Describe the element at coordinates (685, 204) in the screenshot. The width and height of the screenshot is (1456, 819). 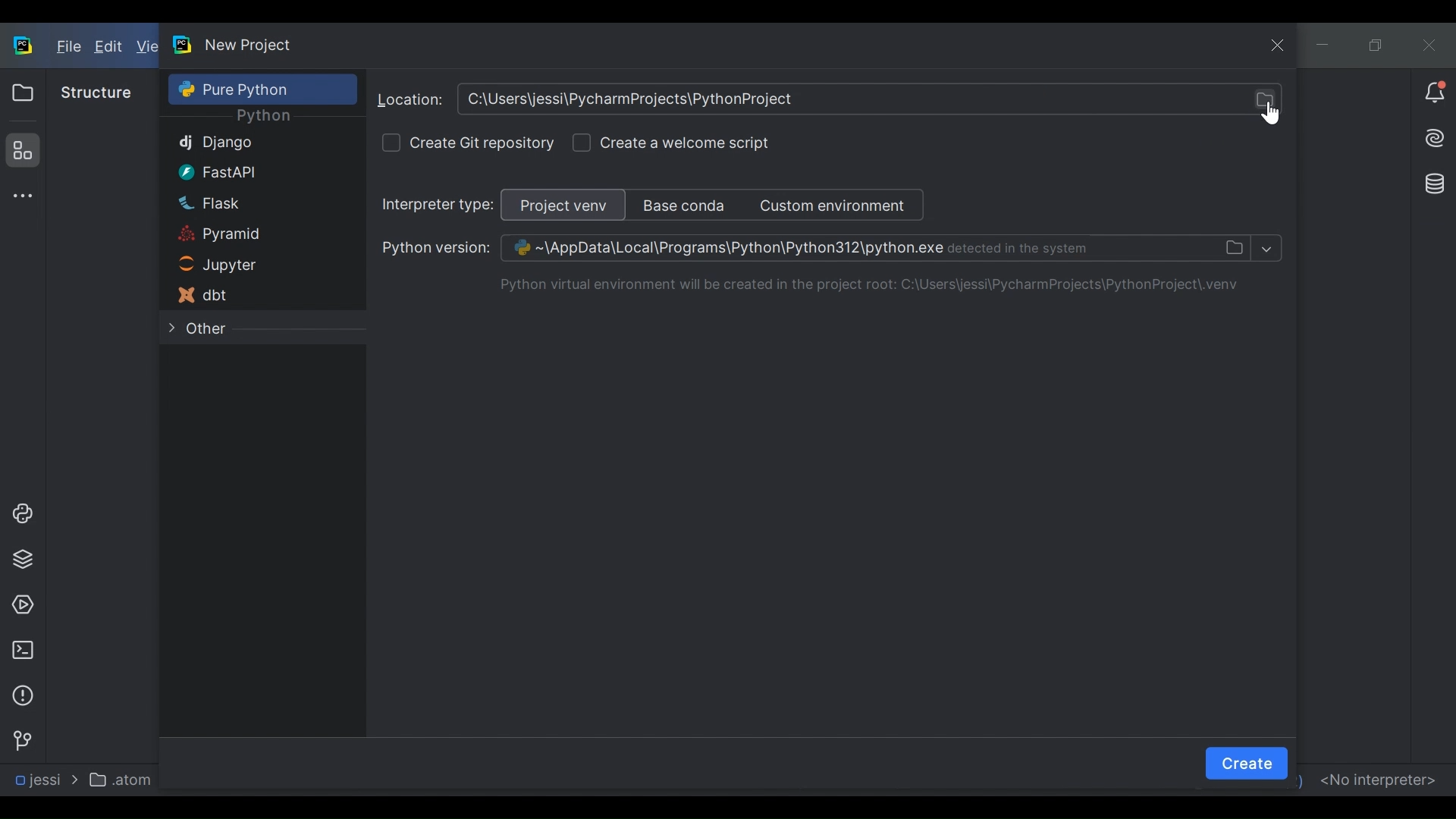
I see `Base Conda` at that location.